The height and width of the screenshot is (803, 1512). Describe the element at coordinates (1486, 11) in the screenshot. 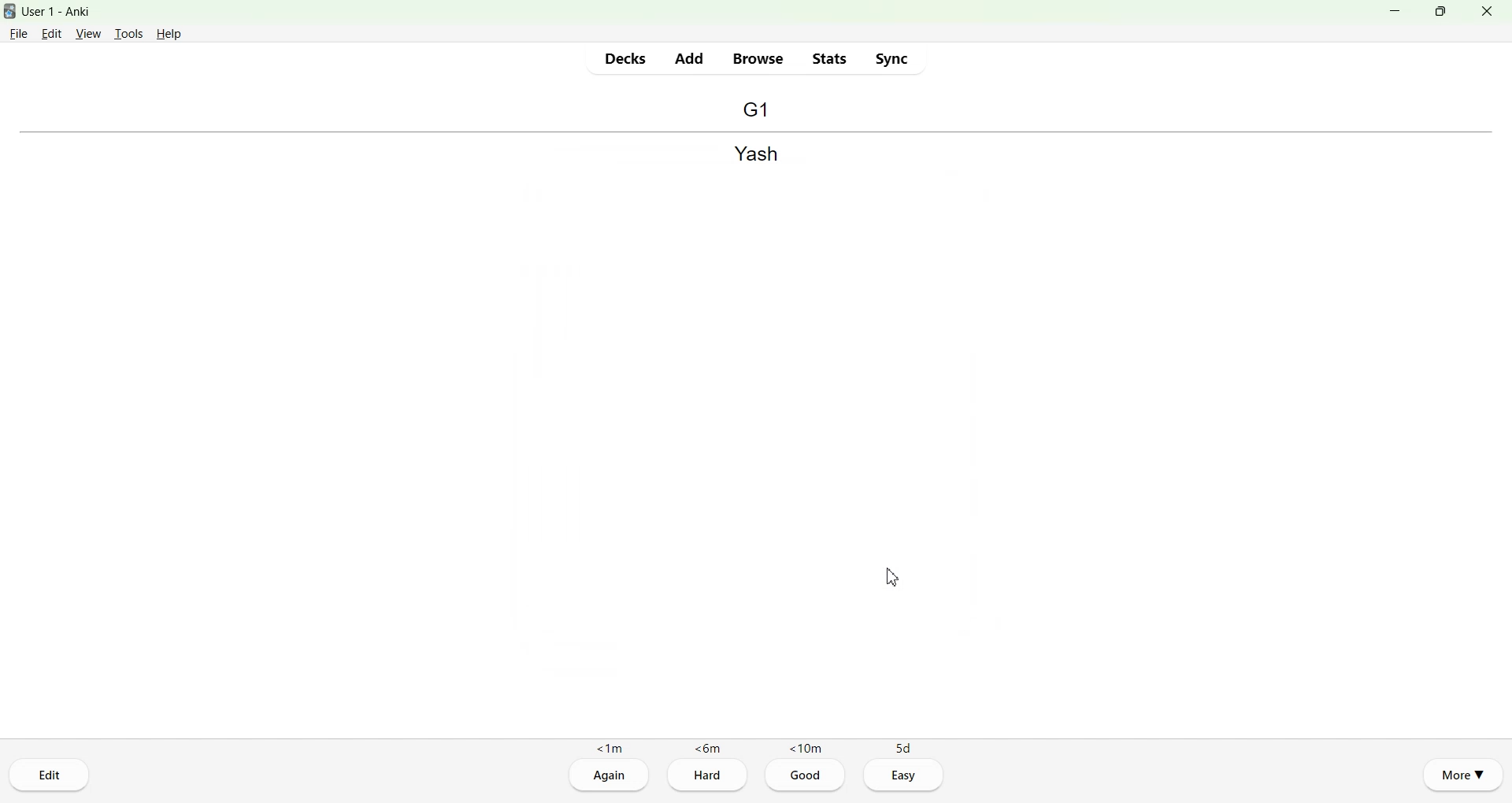

I see `Close` at that location.